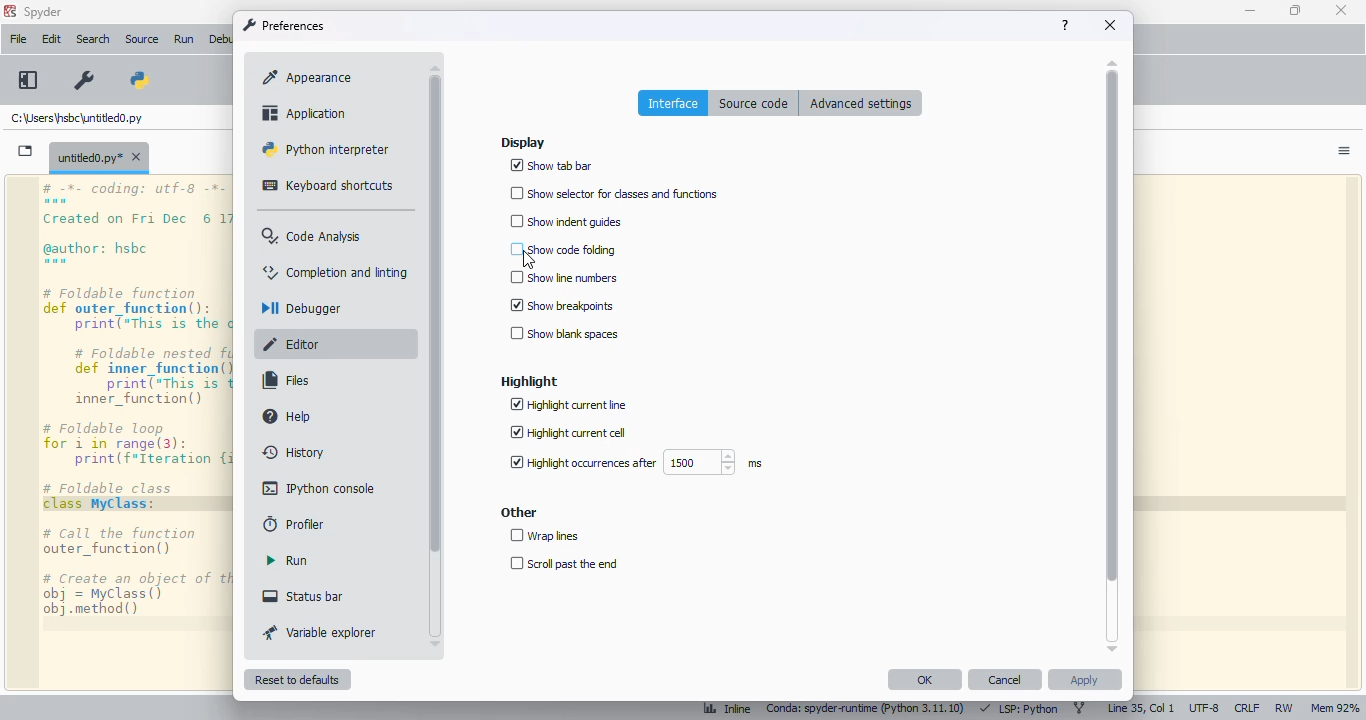 Image resolution: width=1366 pixels, height=720 pixels. Describe the element at coordinates (1334, 709) in the screenshot. I see `mem 92%` at that location.